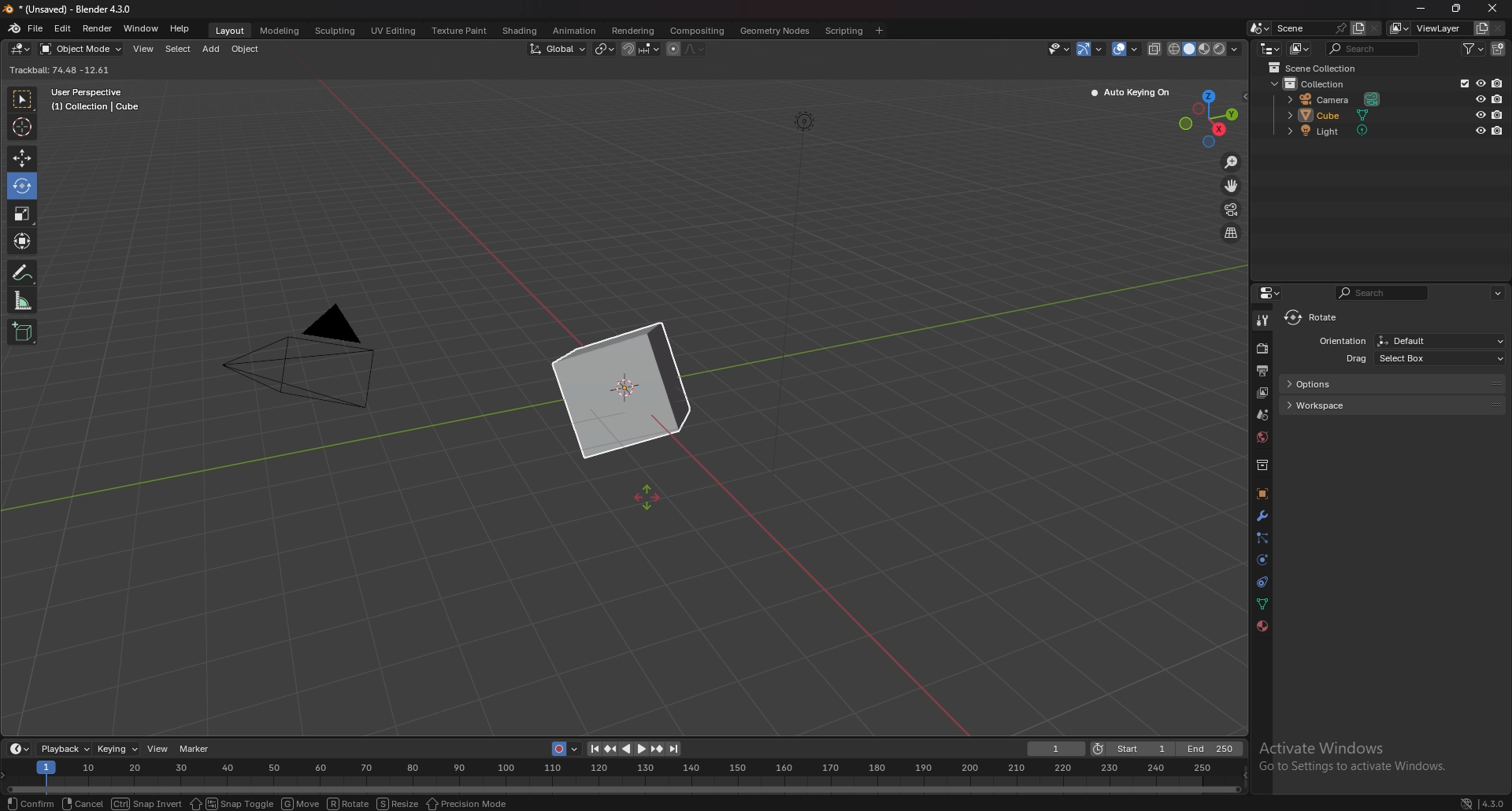 The image size is (1512, 811). I want to click on close, so click(1492, 9).